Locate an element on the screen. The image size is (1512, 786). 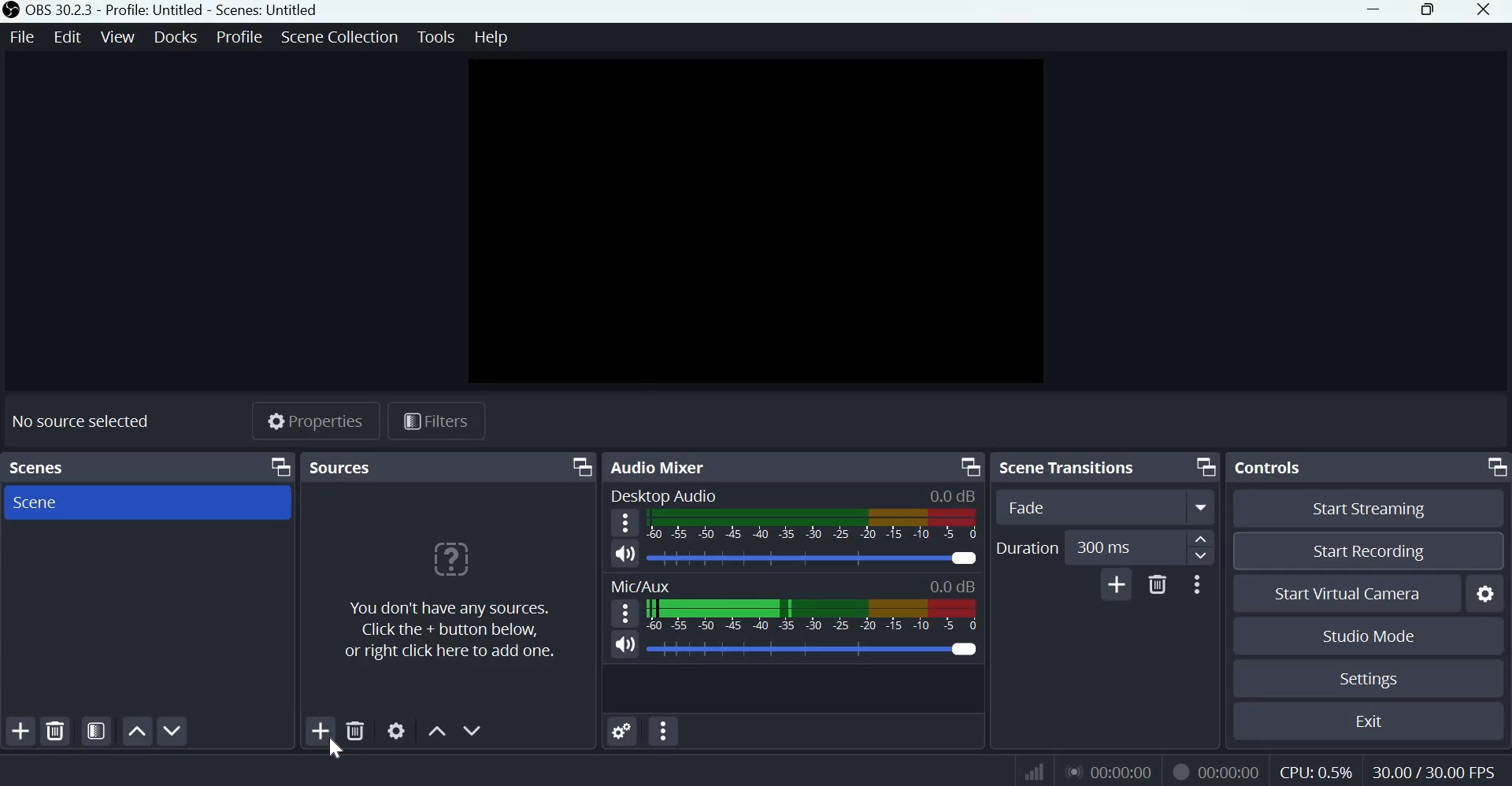
Move source(s) down is located at coordinates (473, 731).